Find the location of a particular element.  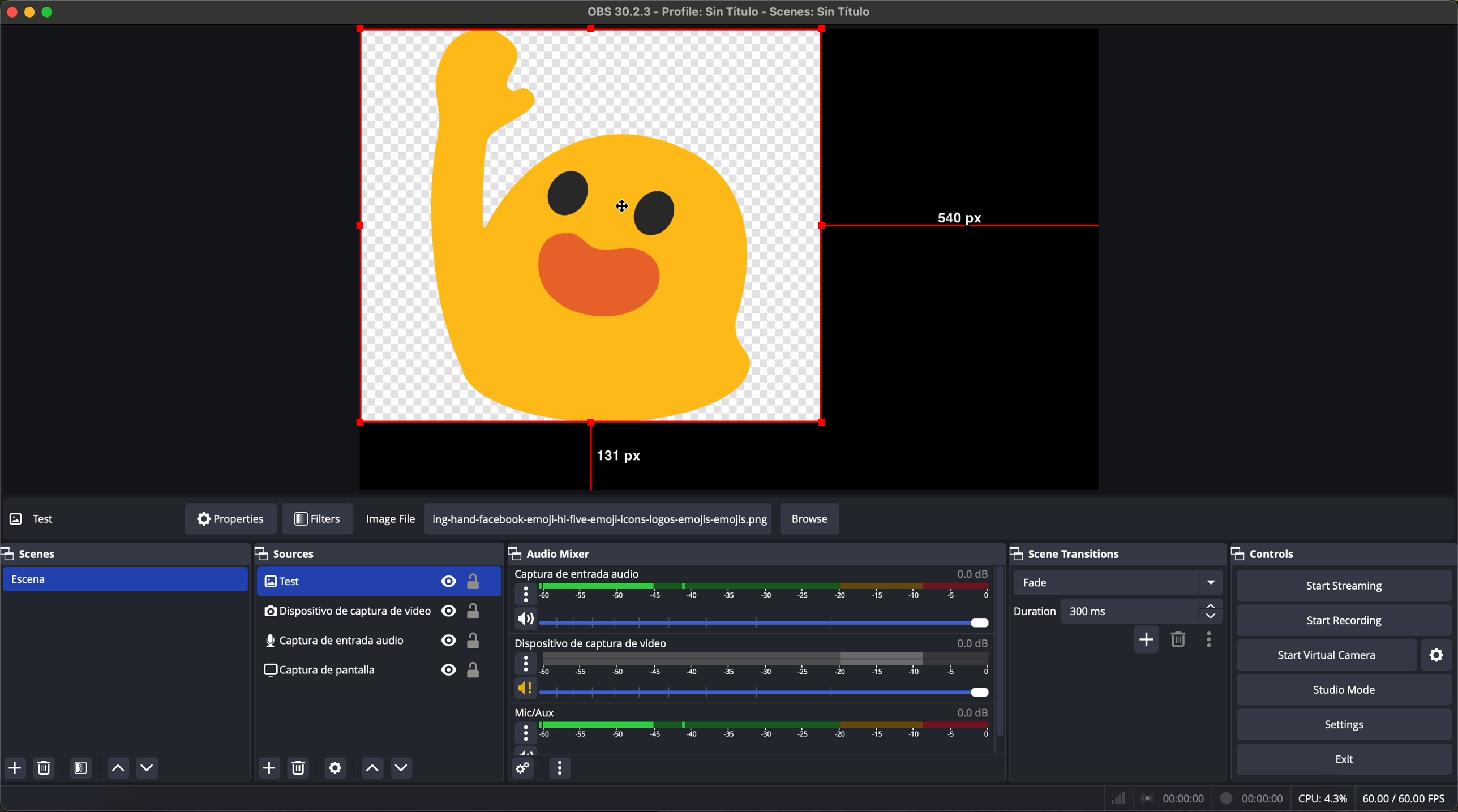

advanced audio properties is located at coordinates (522, 768).